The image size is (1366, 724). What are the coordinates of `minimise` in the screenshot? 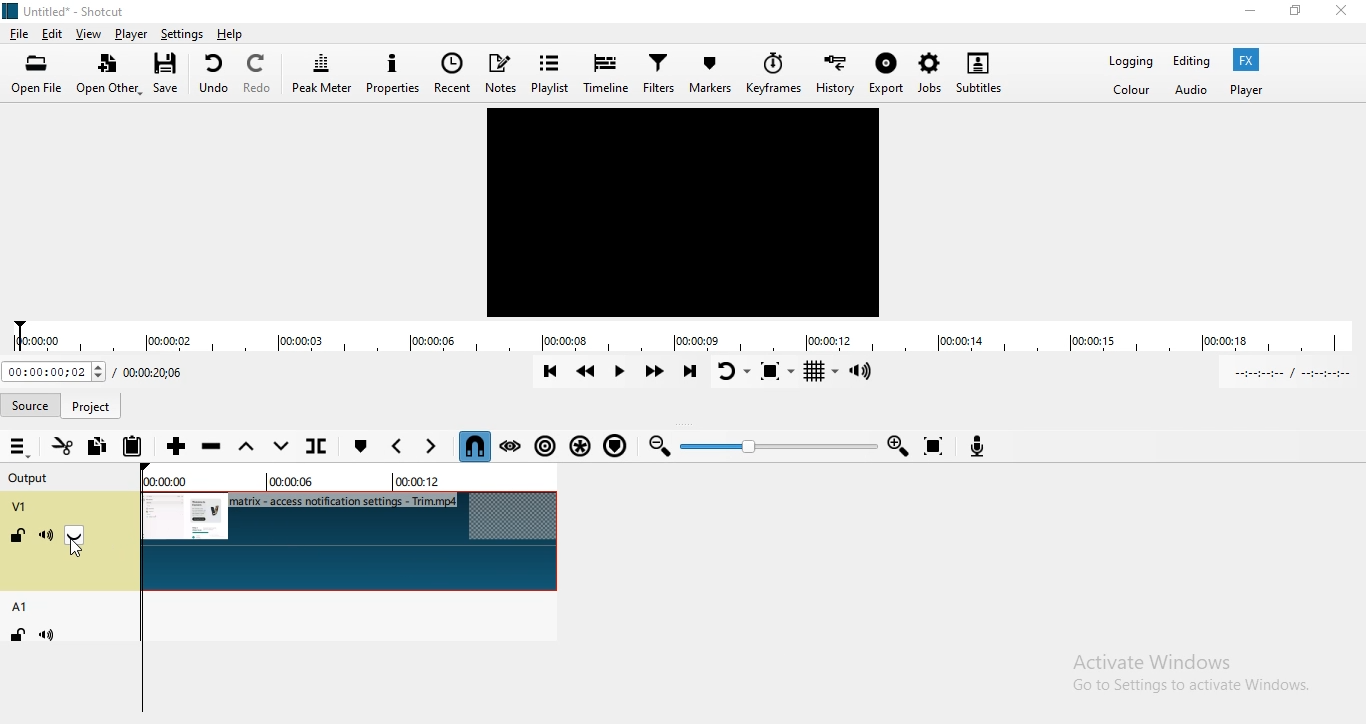 It's located at (1250, 14).